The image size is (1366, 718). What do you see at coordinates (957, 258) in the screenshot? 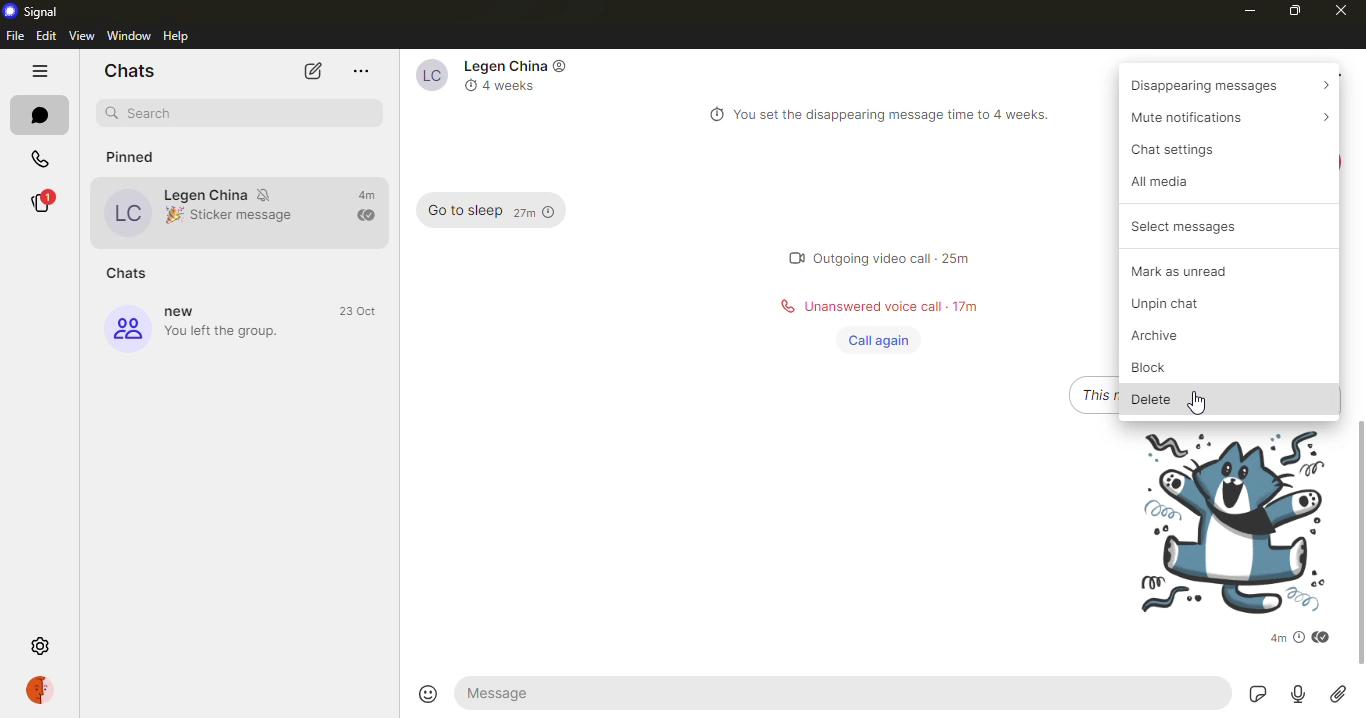
I see `time` at bounding box center [957, 258].